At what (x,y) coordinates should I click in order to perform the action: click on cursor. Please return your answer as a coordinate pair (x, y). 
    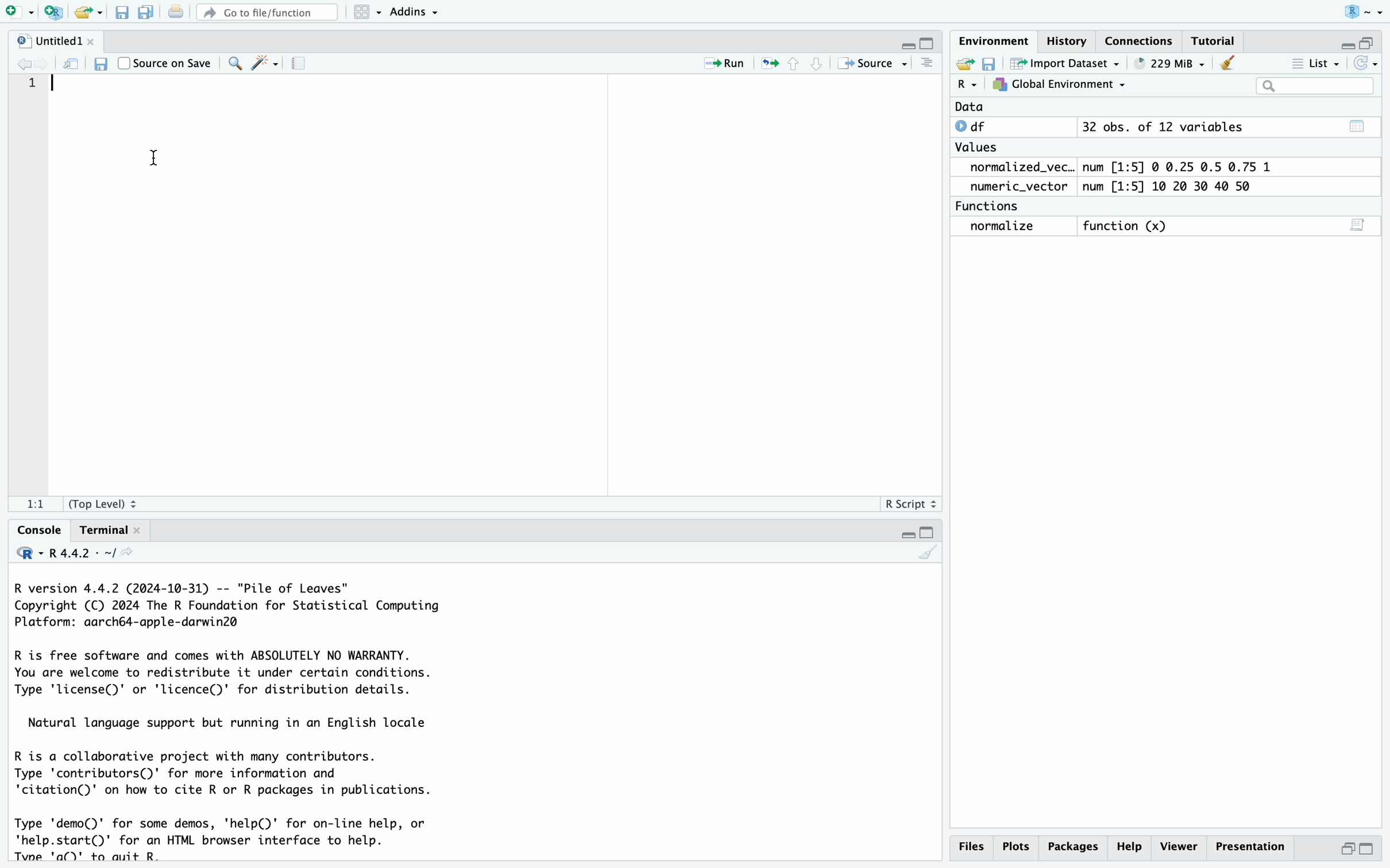
    Looking at the image, I should click on (155, 159).